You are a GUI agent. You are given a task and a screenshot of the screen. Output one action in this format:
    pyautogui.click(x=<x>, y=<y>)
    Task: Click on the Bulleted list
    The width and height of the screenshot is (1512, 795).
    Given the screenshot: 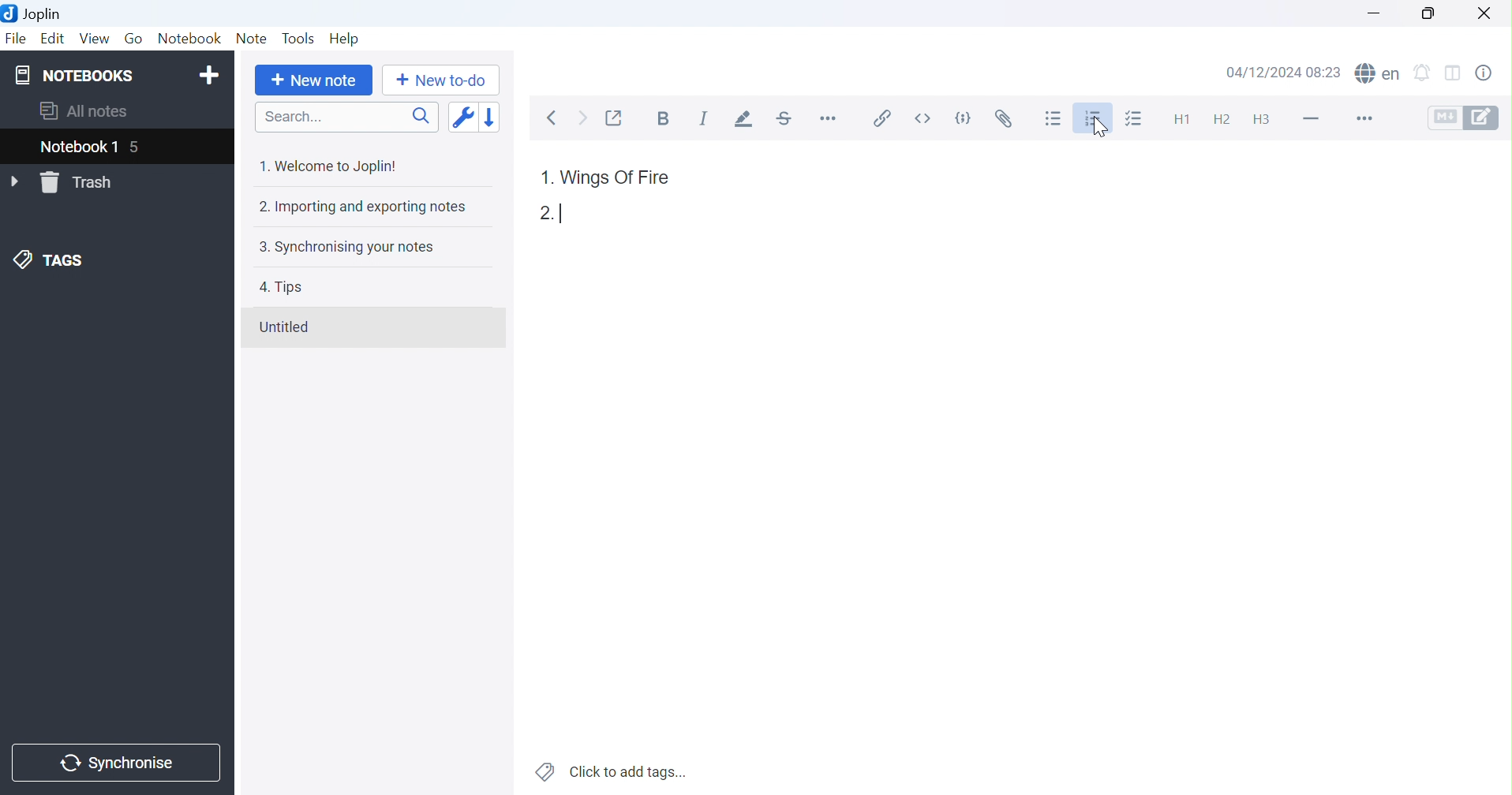 What is the action you would take?
    pyautogui.click(x=1054, y=121)
    